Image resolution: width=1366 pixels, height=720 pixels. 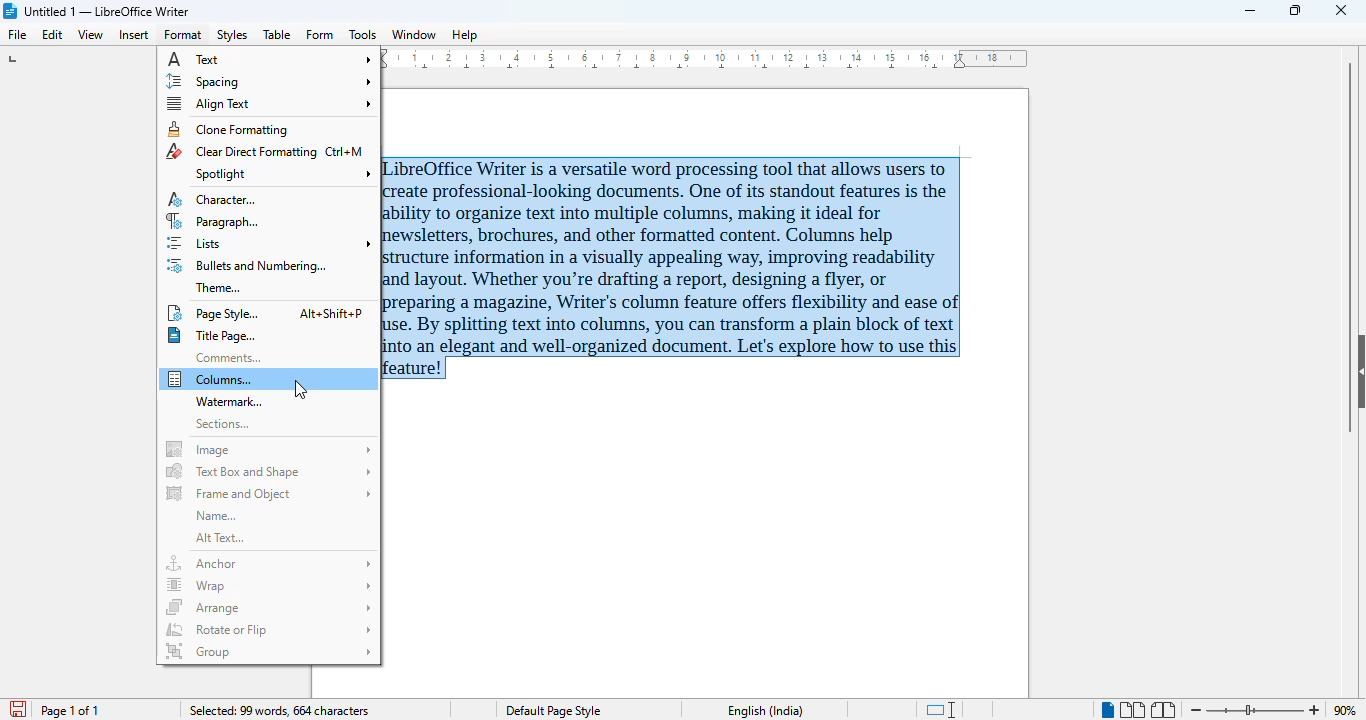 What do you see at coordinates (90, 35) in the screenshot?
I see `view` at bounding box center [90, 35].